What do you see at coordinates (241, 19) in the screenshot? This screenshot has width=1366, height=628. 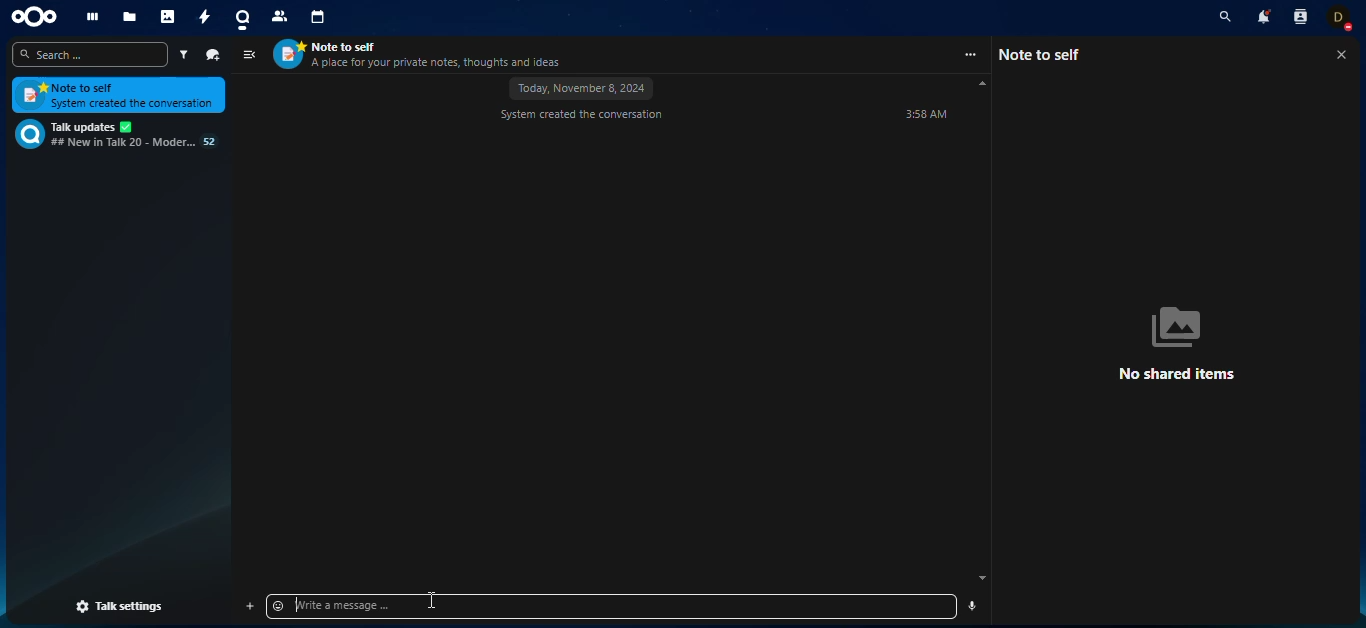 I see `talk` at bounding box center [241, 19].